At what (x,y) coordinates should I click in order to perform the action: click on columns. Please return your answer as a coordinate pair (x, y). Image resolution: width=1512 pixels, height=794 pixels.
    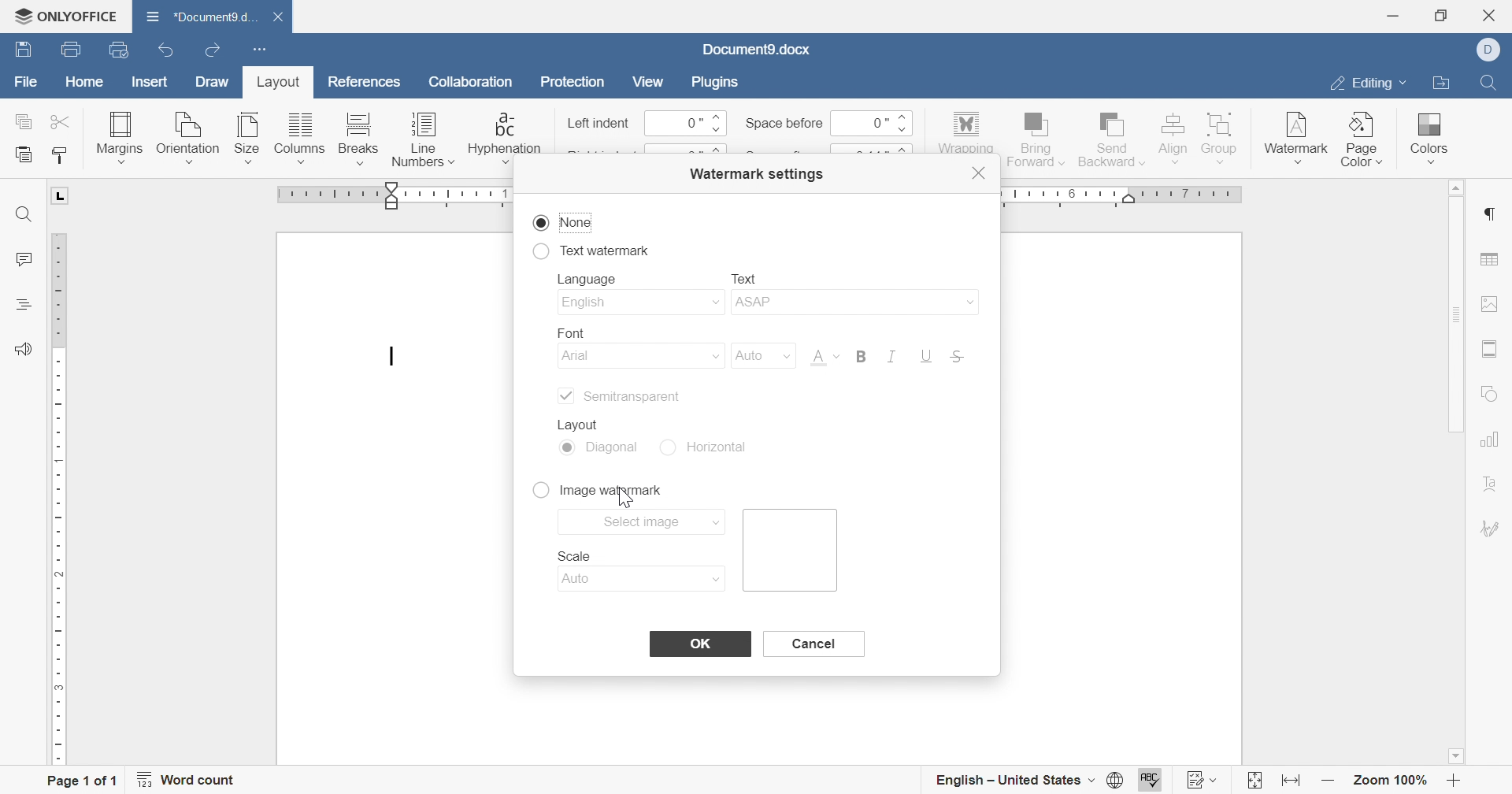
    Looking at the image, I should click on (300, 139).